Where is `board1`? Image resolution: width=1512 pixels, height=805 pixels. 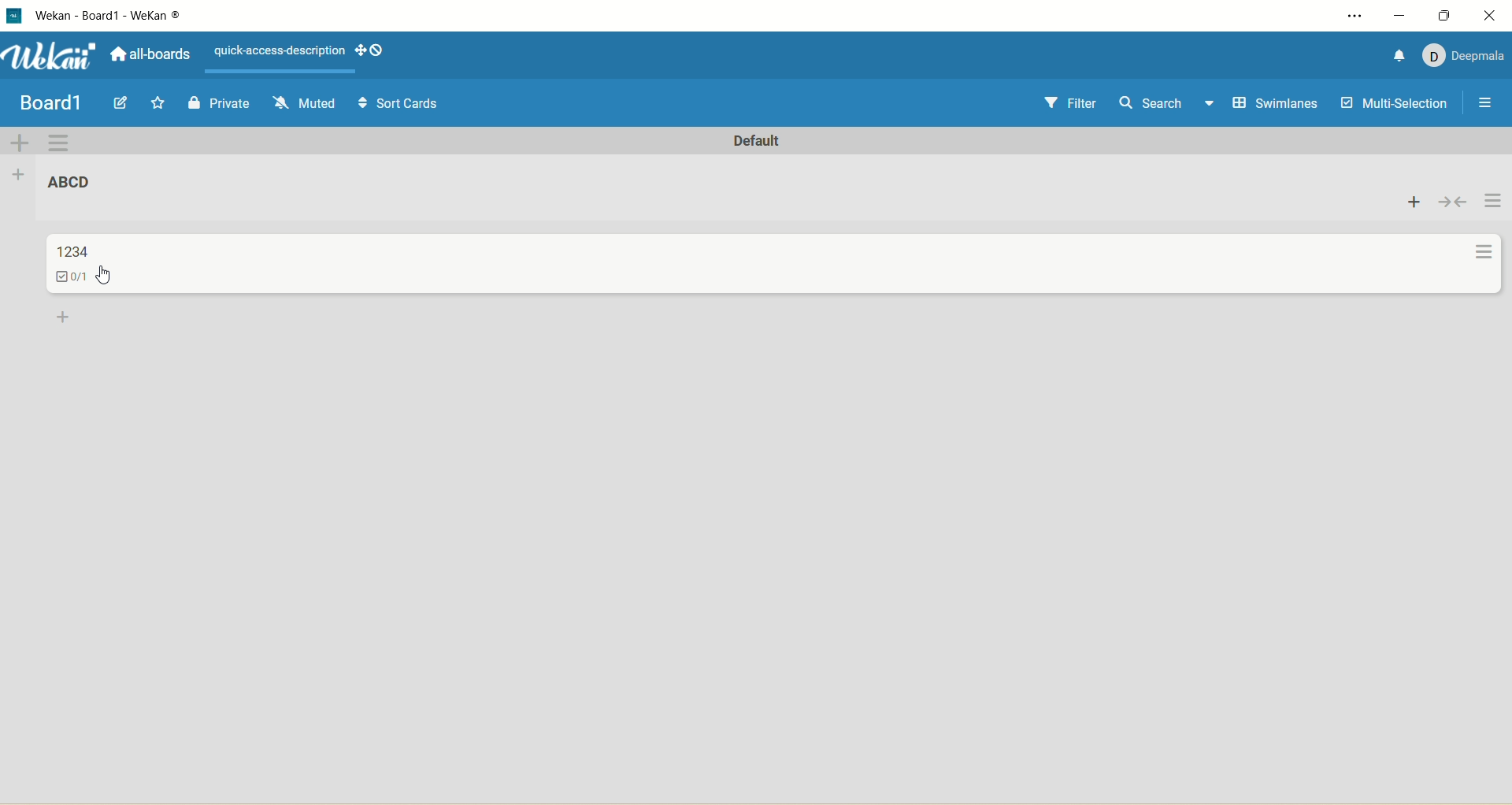 board1 is located at coordinates (54, 106).